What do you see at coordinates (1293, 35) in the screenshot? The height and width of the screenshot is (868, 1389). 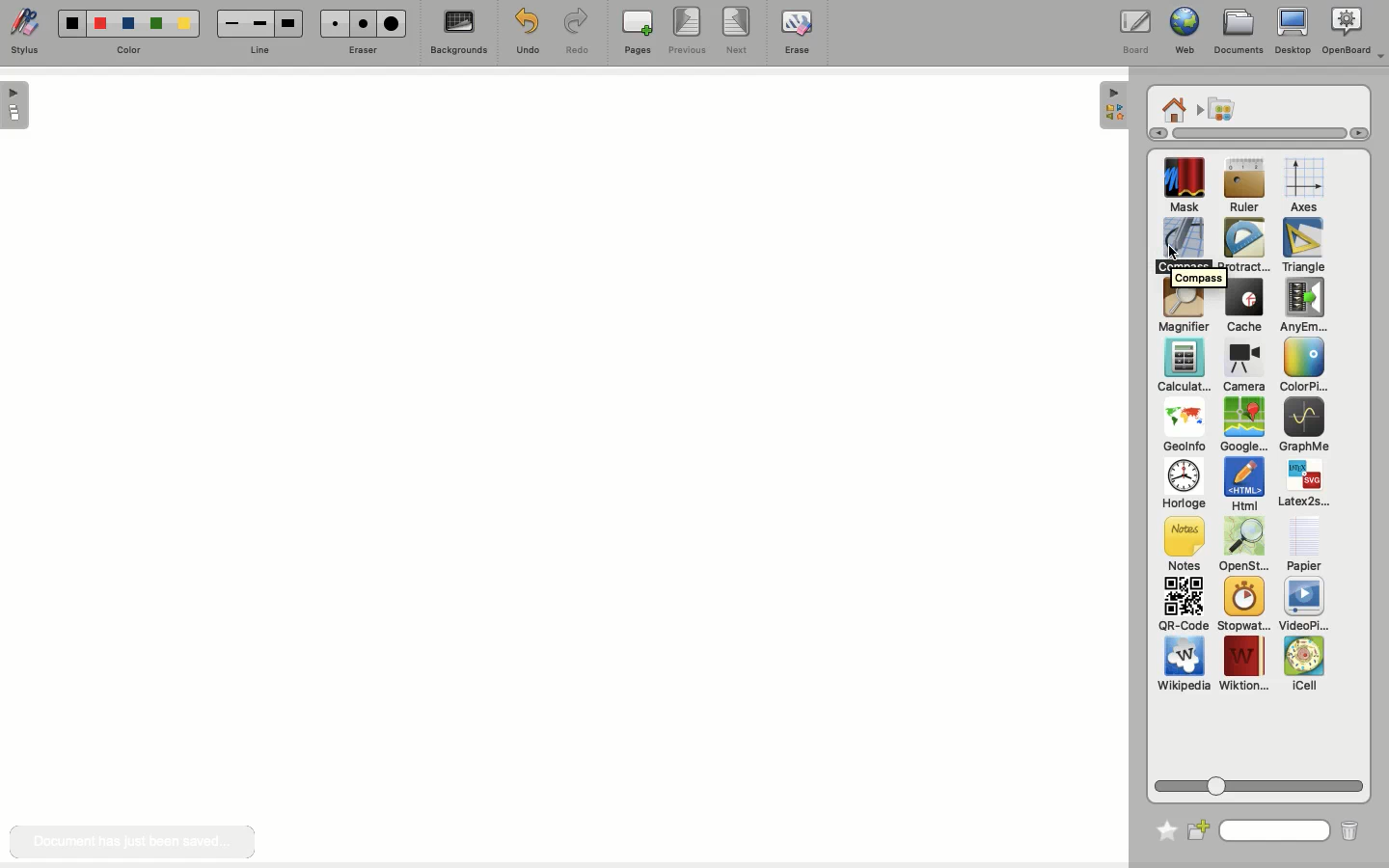 I see `Desktop` at bounding box center [1293, 35].